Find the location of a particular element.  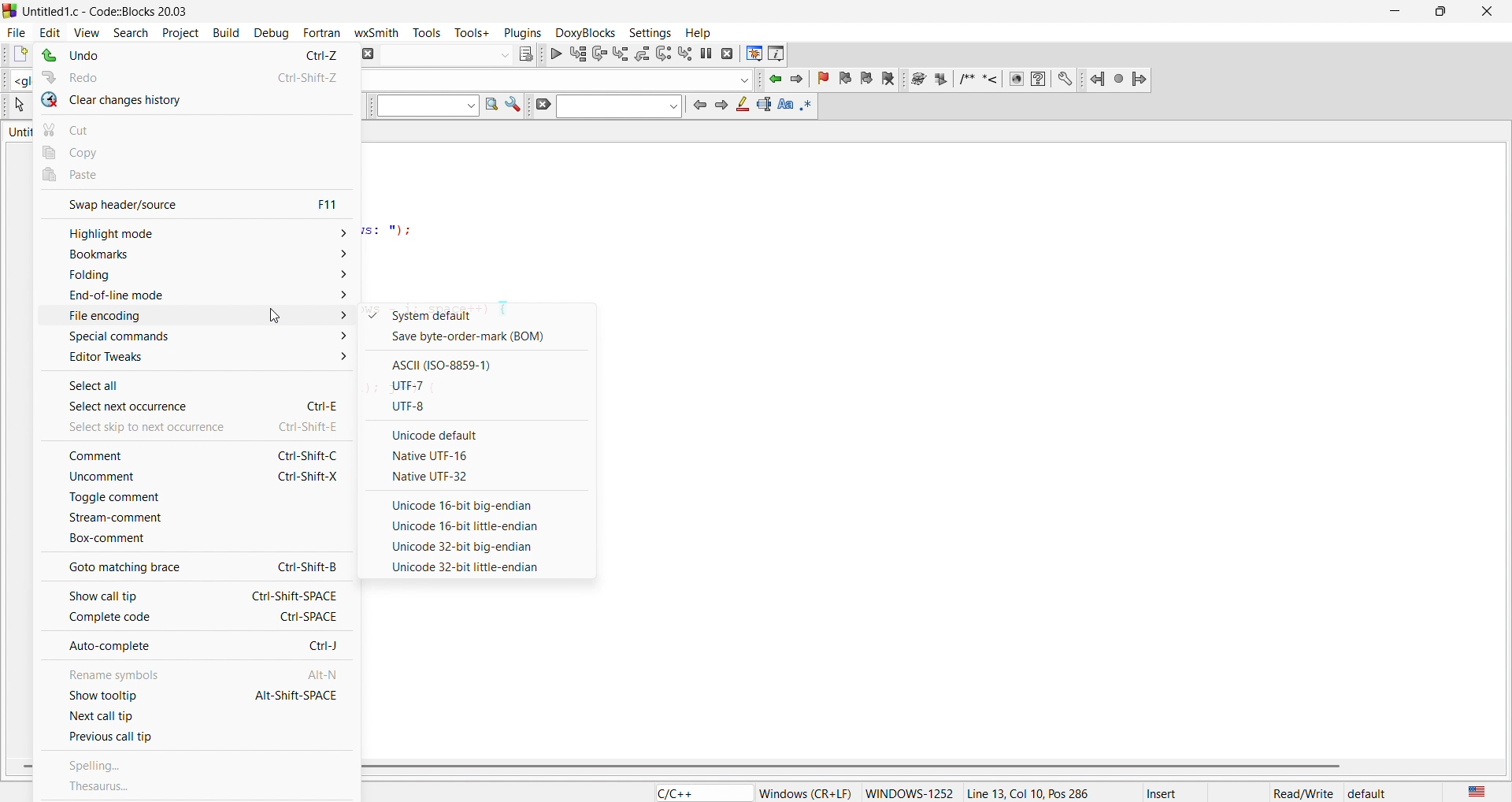

folding is located at coordinates (196, 277).